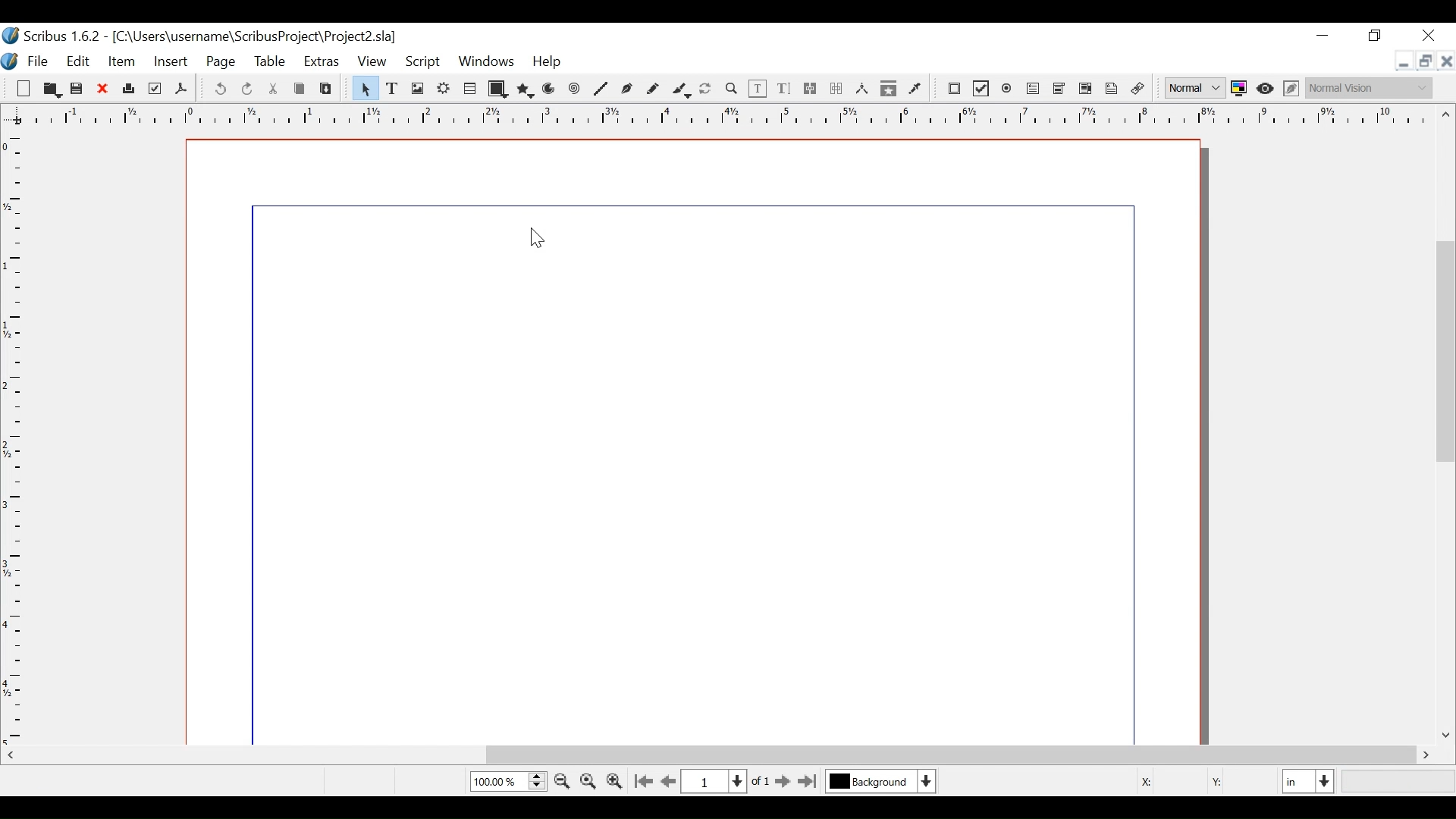  What do you see at coordinates (420, 62) in the screenshot?
I see `Script` at bounding box center [420, 62].